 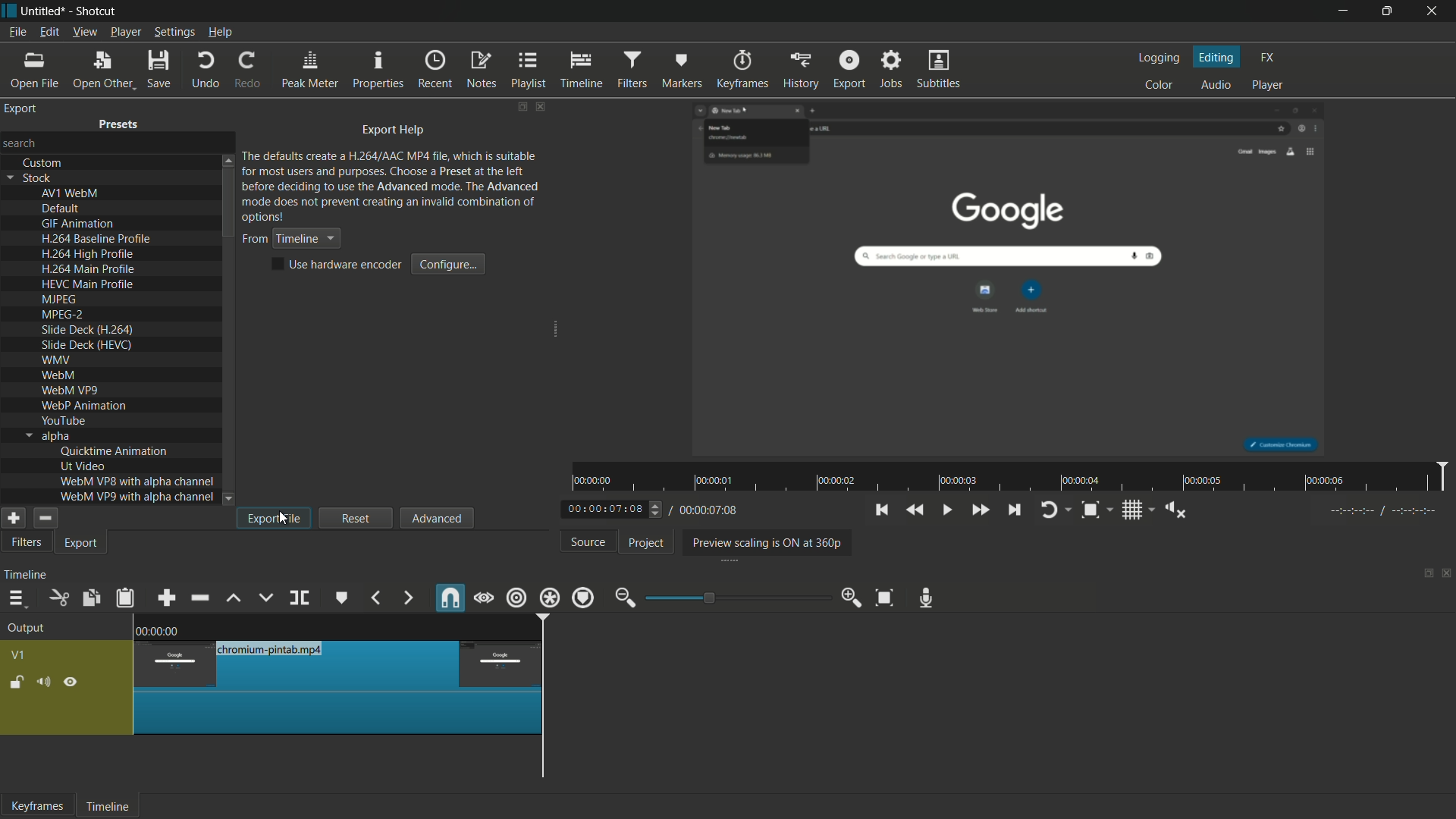 I want to click on timeline, so click(x=307, y=238).